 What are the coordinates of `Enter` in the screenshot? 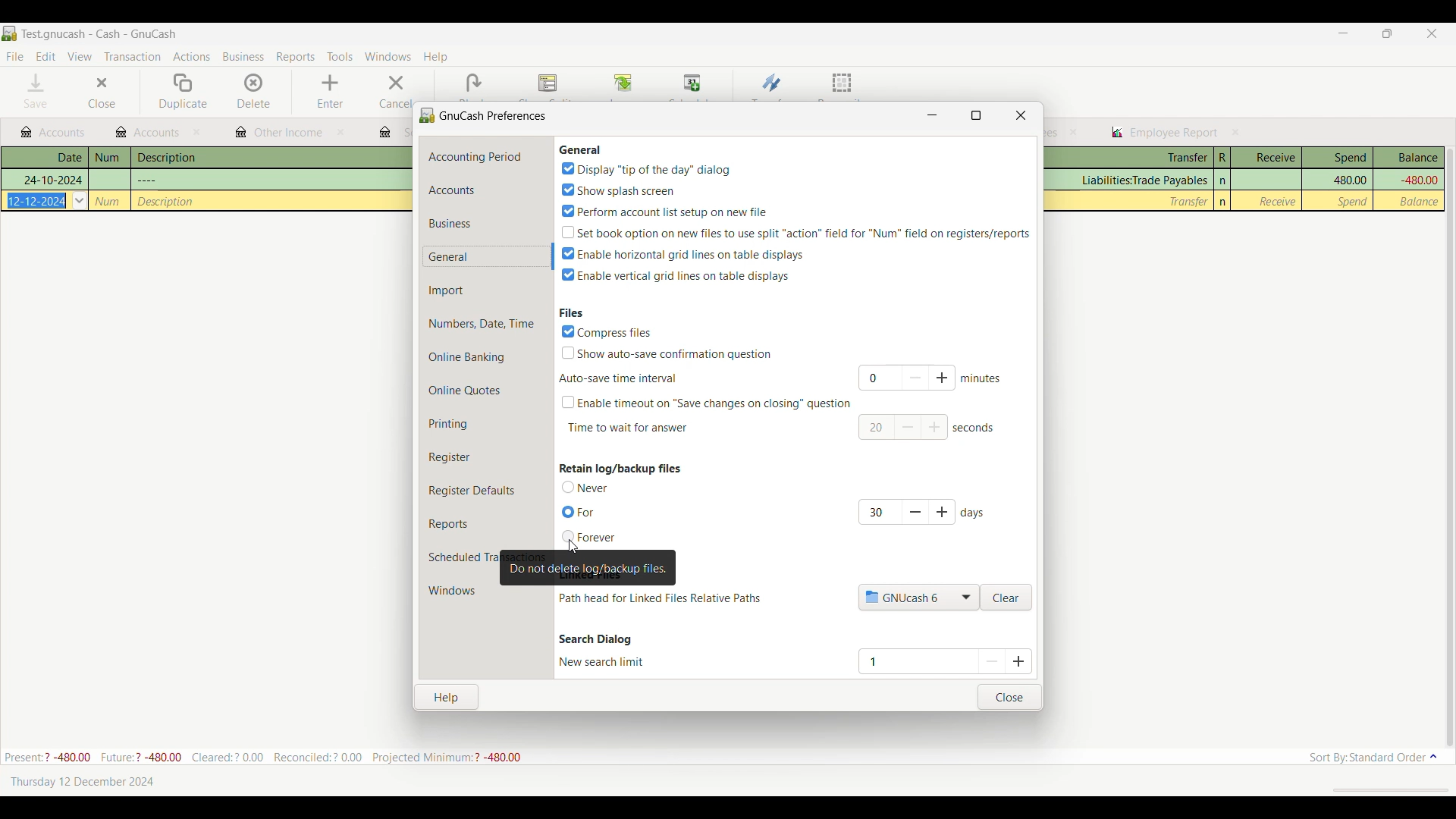 It's located at (329, 92).